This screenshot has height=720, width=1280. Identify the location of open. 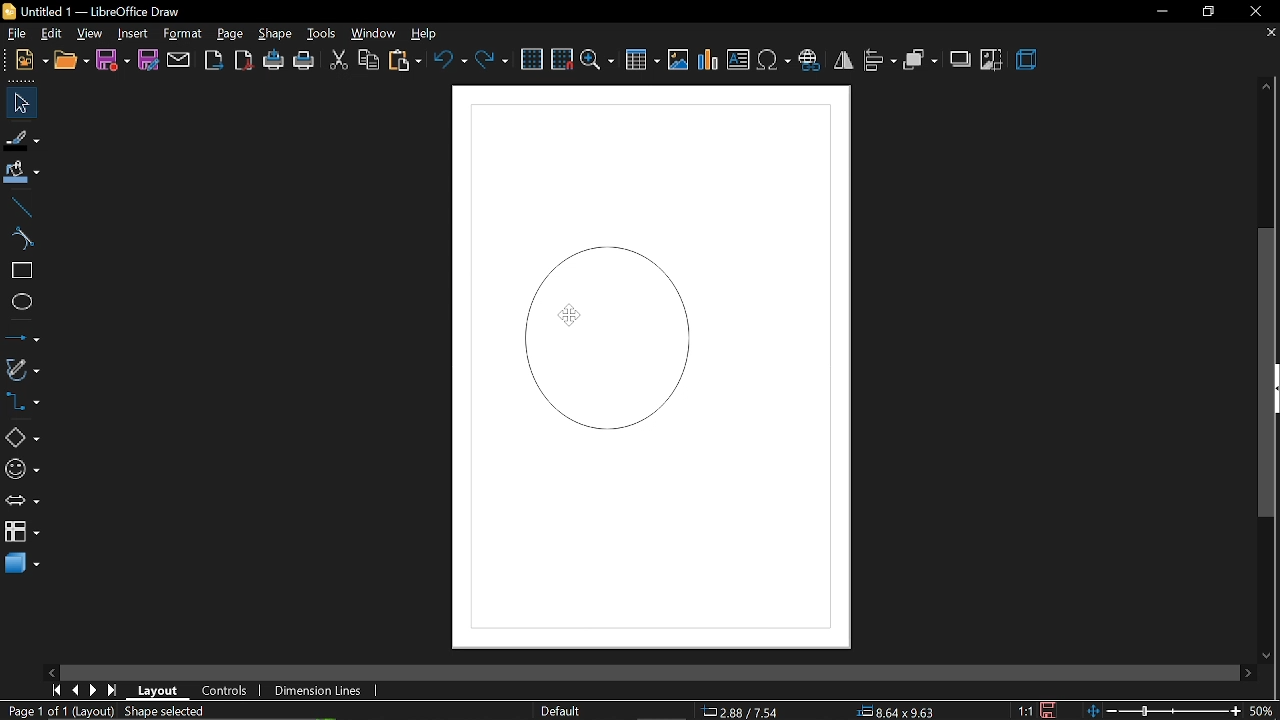
(30, 60).